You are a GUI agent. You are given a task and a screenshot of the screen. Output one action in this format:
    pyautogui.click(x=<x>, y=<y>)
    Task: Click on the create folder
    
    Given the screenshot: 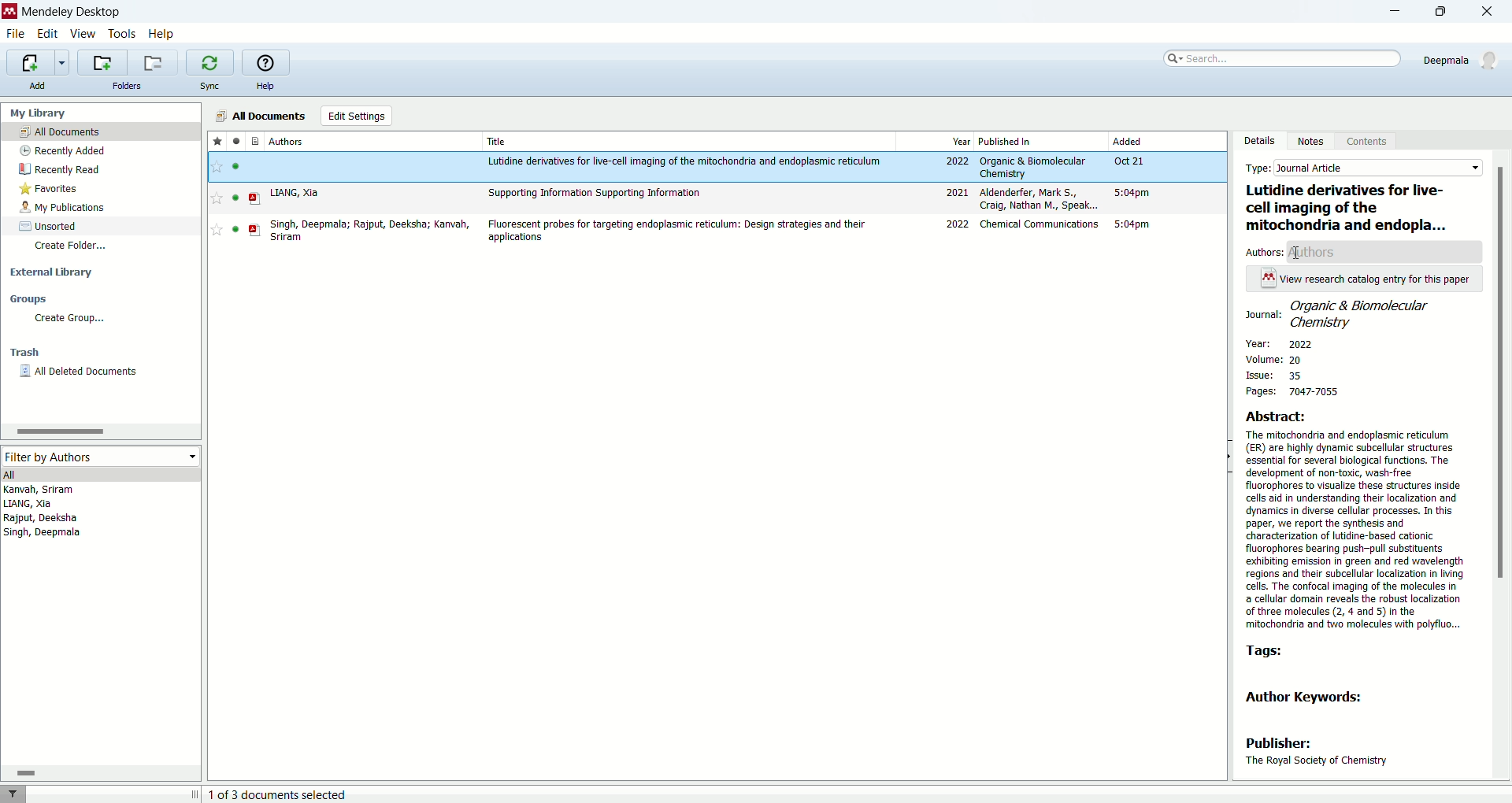 What is the action you would take?
    pyautogui.click(x=72, y=247)
    